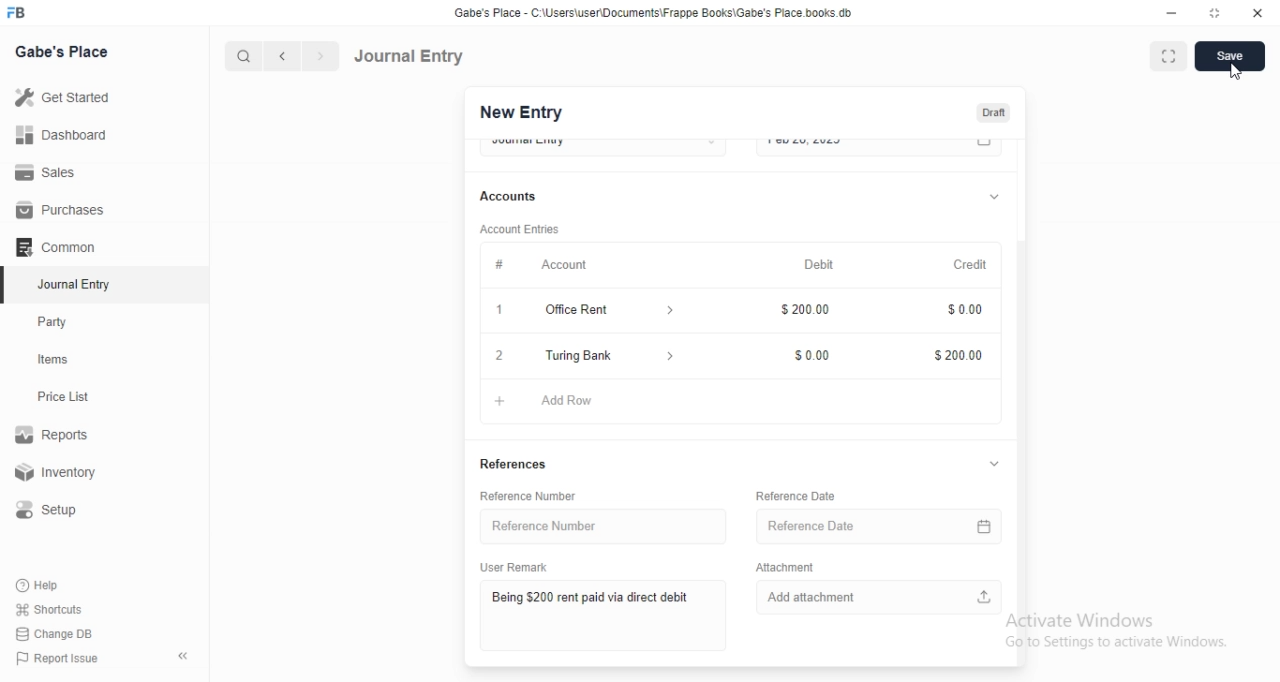 This screenshot has height=682, width=1280. I want to click on Dashboard, so click(59, 135).